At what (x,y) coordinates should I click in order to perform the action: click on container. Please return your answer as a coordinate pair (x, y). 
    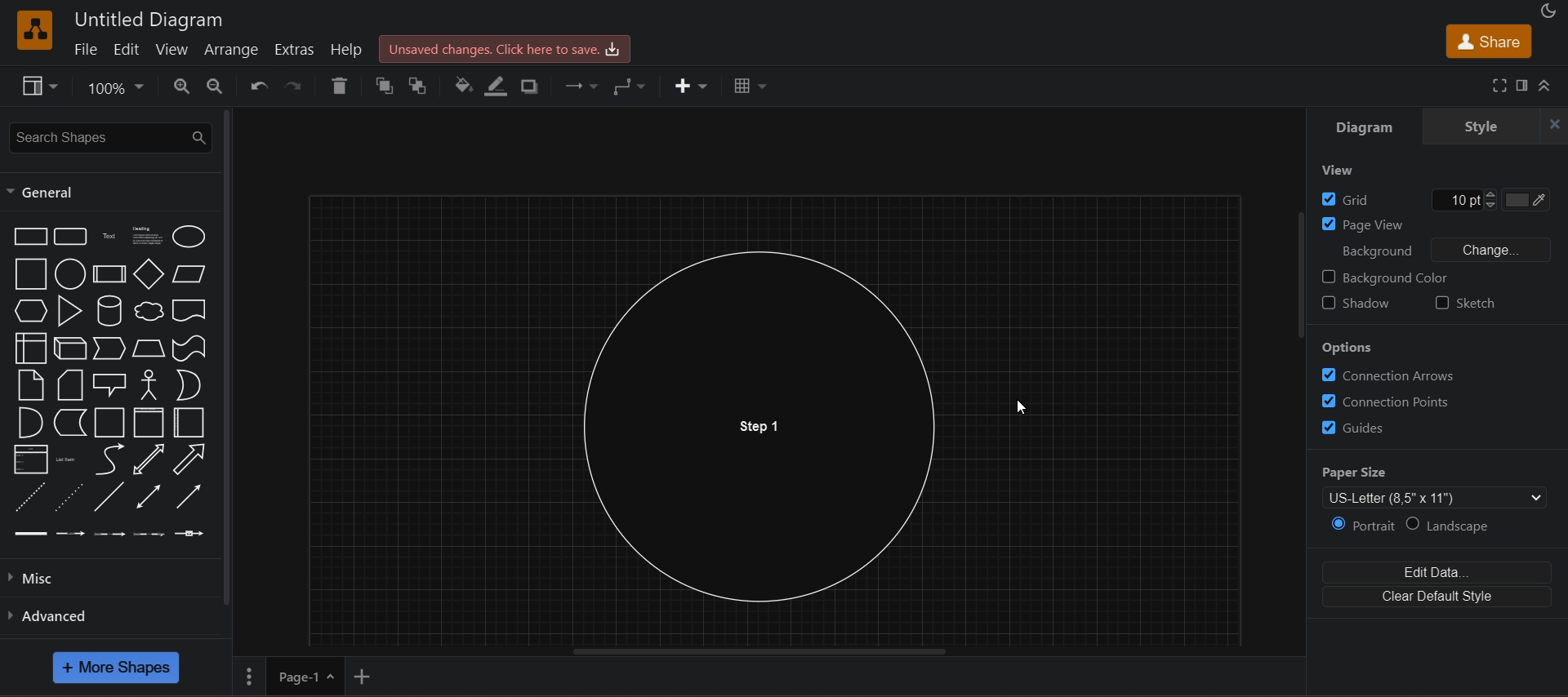
    Looking at the image, I should click on (111, 422).